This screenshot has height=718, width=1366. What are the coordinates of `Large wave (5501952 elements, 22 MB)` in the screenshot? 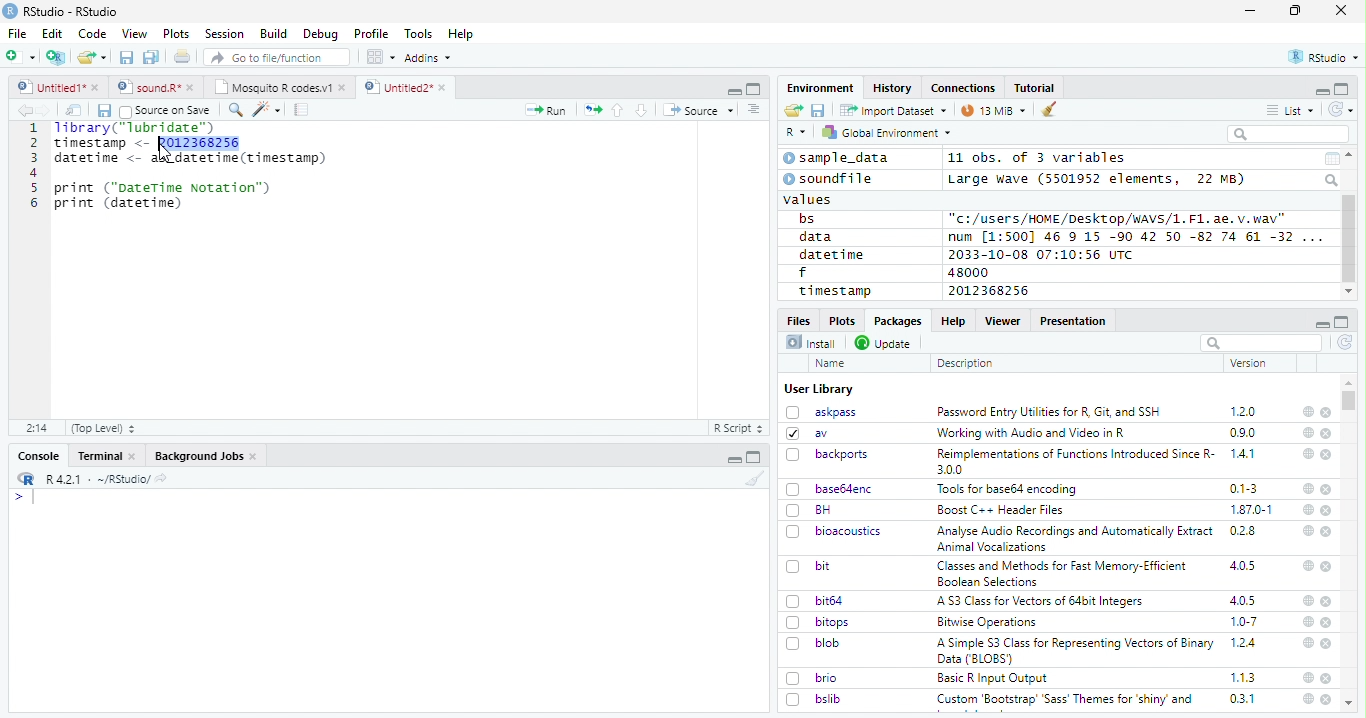 It's located at (1099, 179).